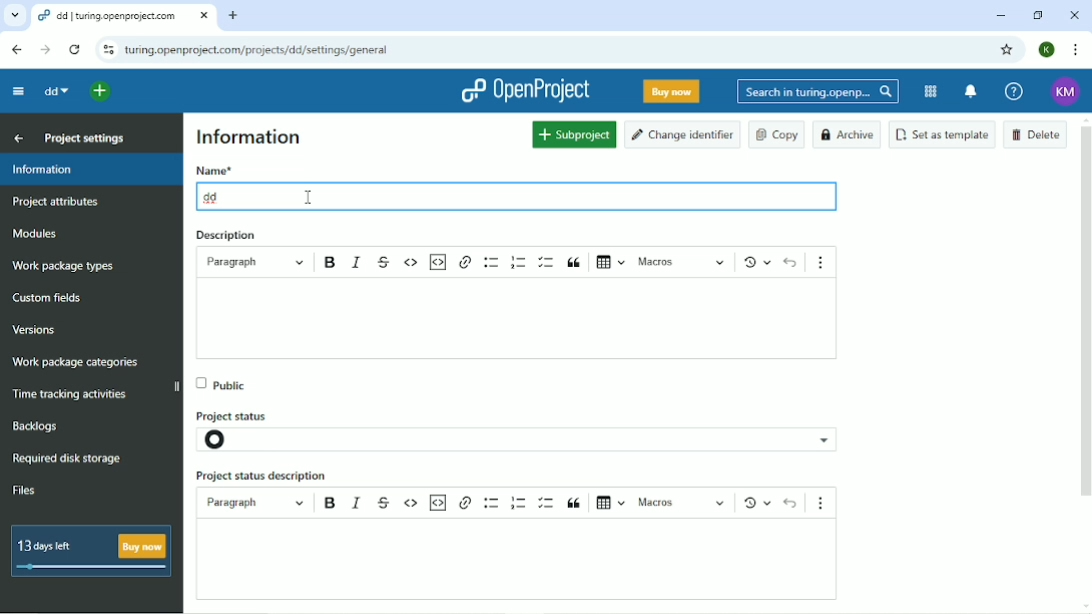 The height and width of the screenshot is (614, 1092). Describe the element at coordinates (438, 262) in the screenshot. I see `Insert code snippet` at that location.